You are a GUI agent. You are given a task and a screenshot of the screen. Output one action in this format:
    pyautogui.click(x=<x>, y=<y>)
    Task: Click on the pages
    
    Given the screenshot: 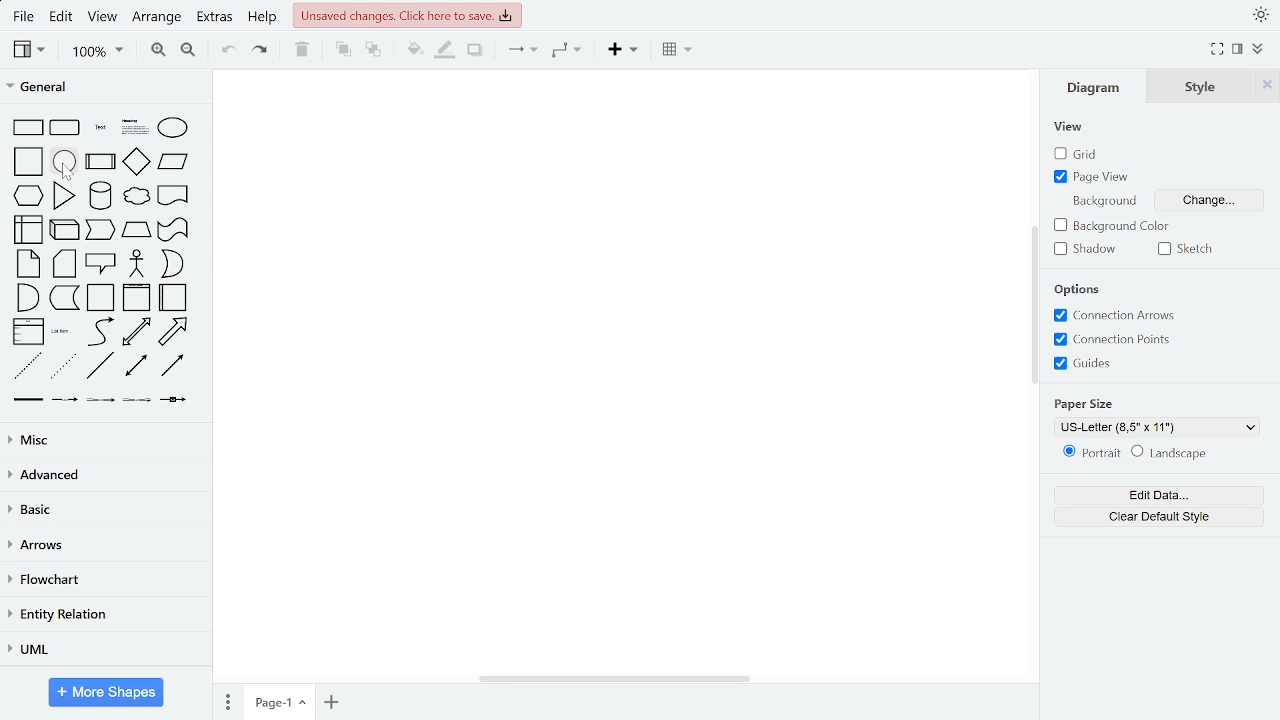 What is the action you would take?
    pyautogui.click(x=229, y=701)
    